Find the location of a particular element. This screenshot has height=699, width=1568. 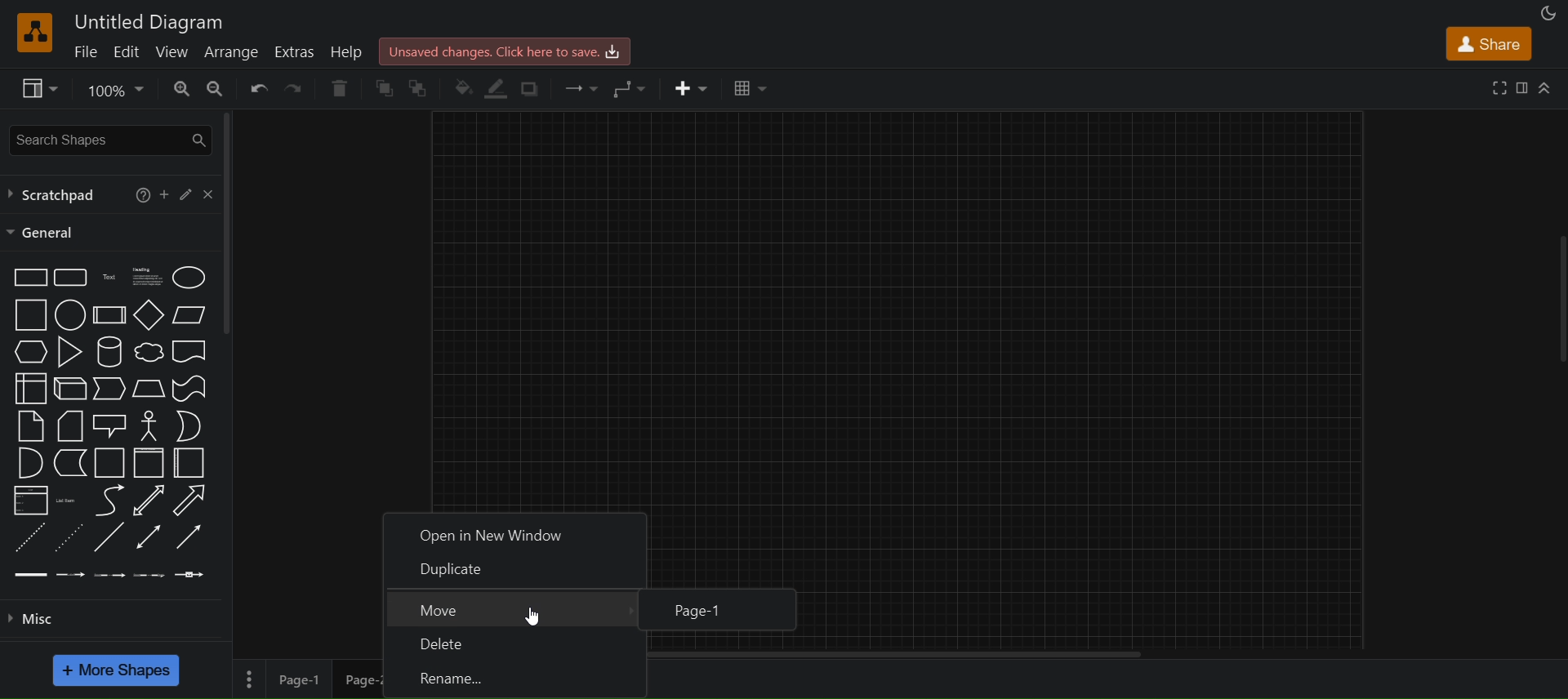

edit is located at coordinates (185, 194).